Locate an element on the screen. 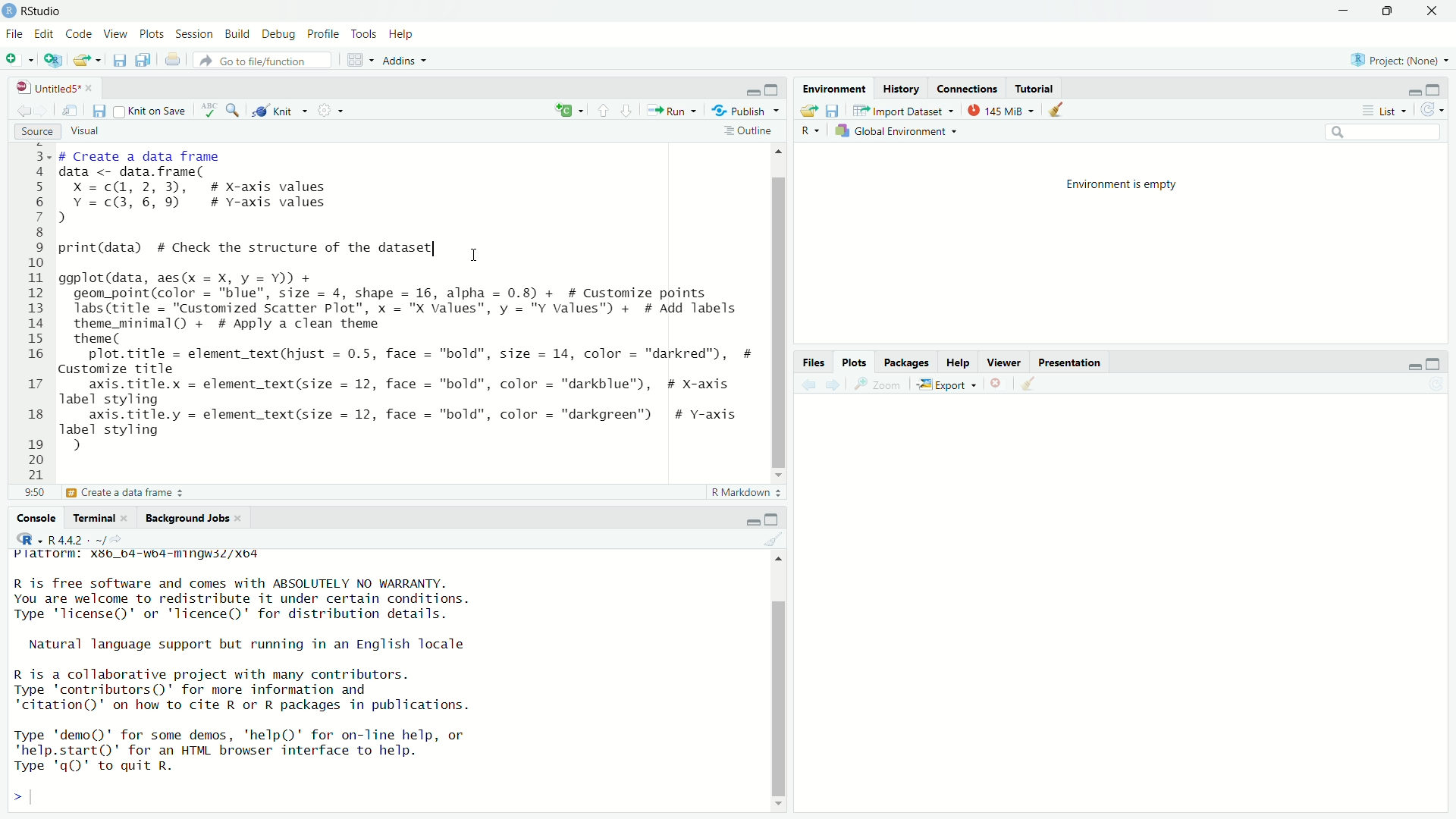 This screenshot has height=819, width=1456. Files is located at coordinates (819, 363).